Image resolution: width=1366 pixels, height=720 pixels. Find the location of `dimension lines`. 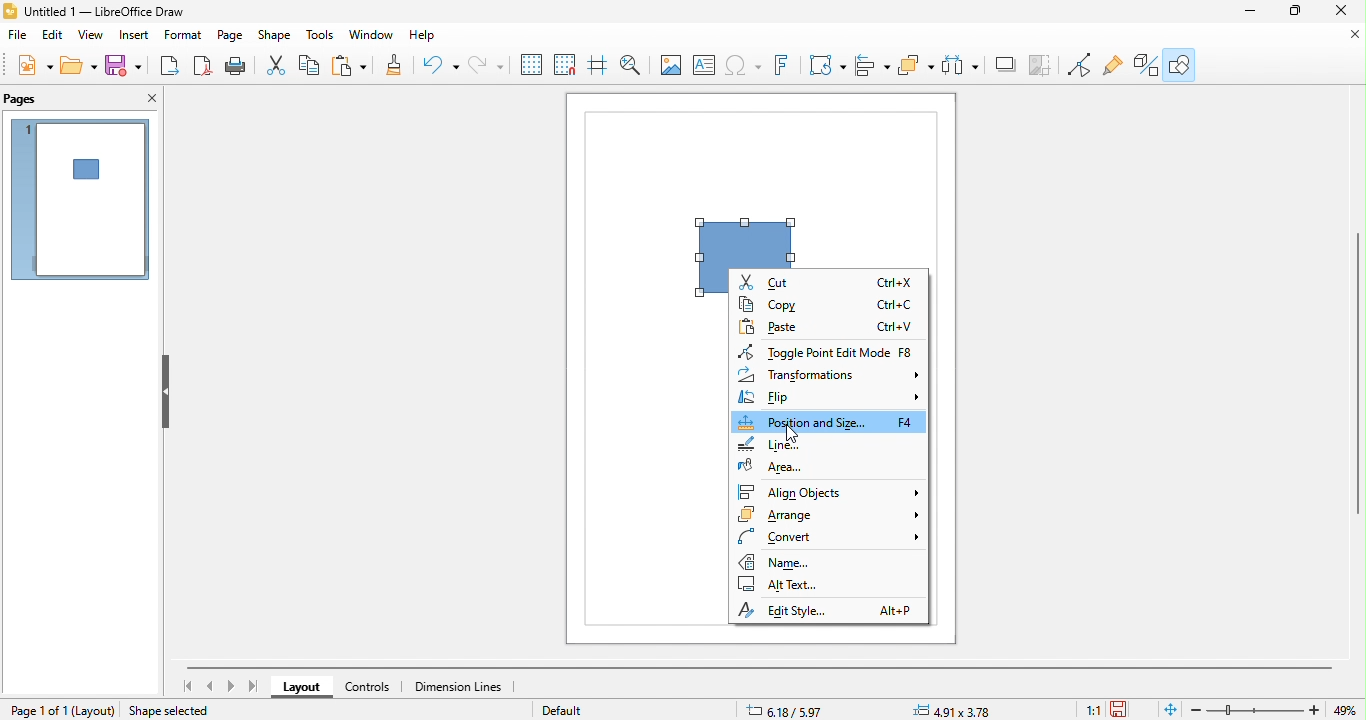

dimension lines is located at coordinates (461, 687).